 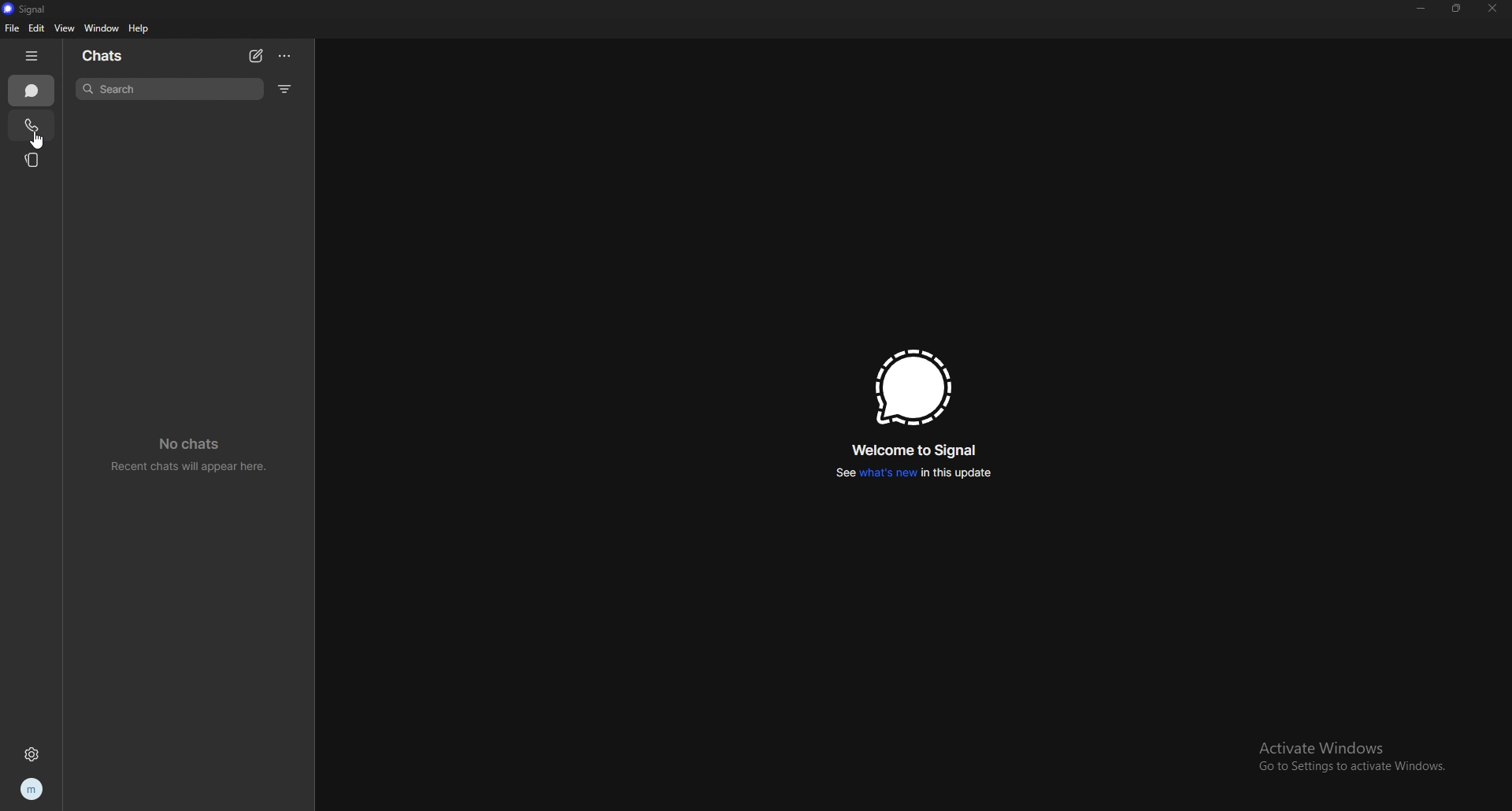 What do you see at coordinates (256, 56) in the screenshot?
I see `new chat` at bounding box center [256, 56].